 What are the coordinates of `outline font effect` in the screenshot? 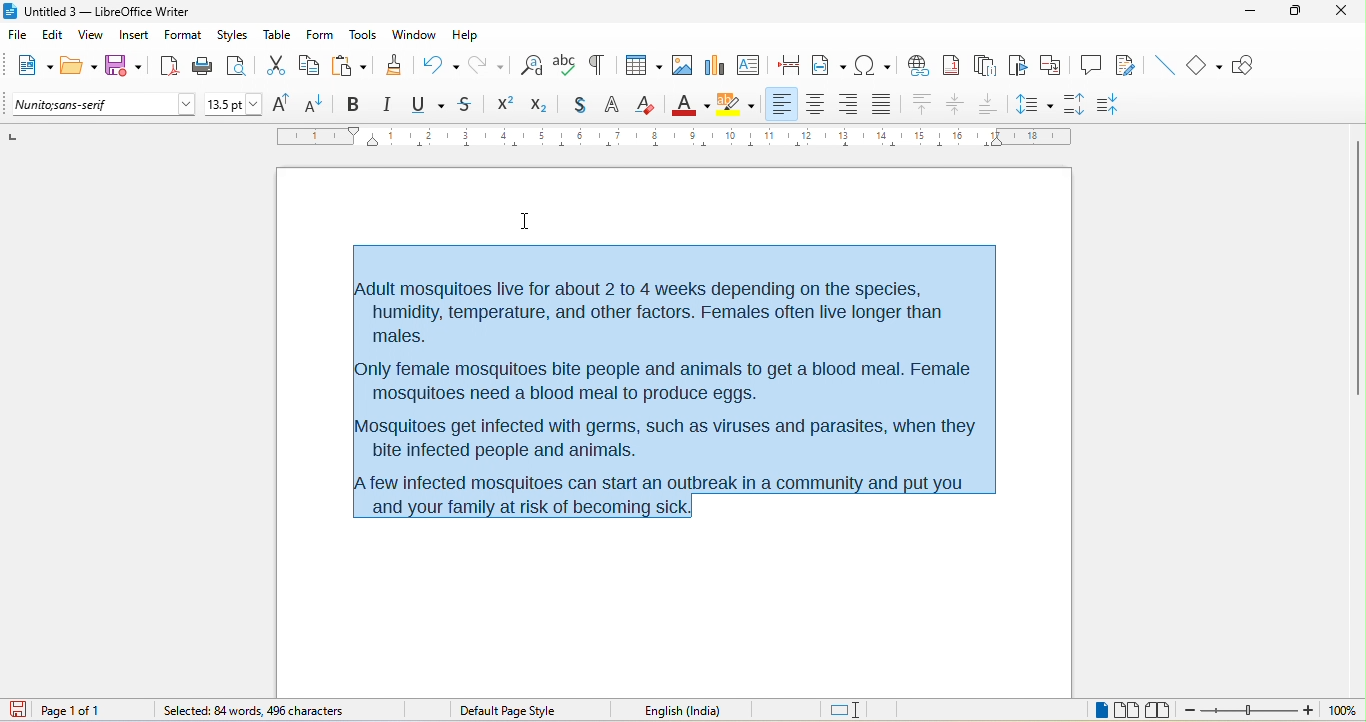 It's located at (613, 106).